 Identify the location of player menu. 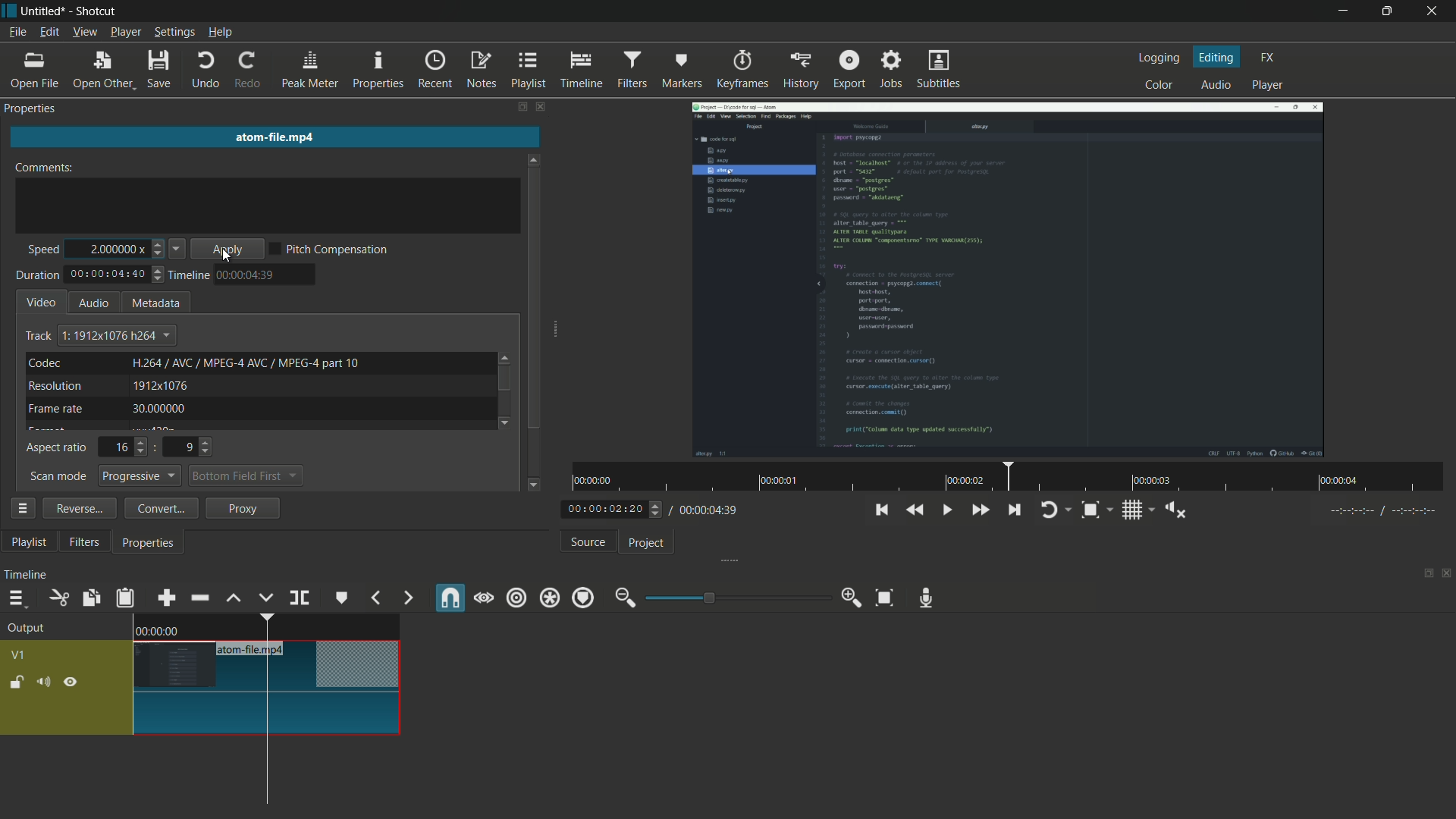
(125, 32).